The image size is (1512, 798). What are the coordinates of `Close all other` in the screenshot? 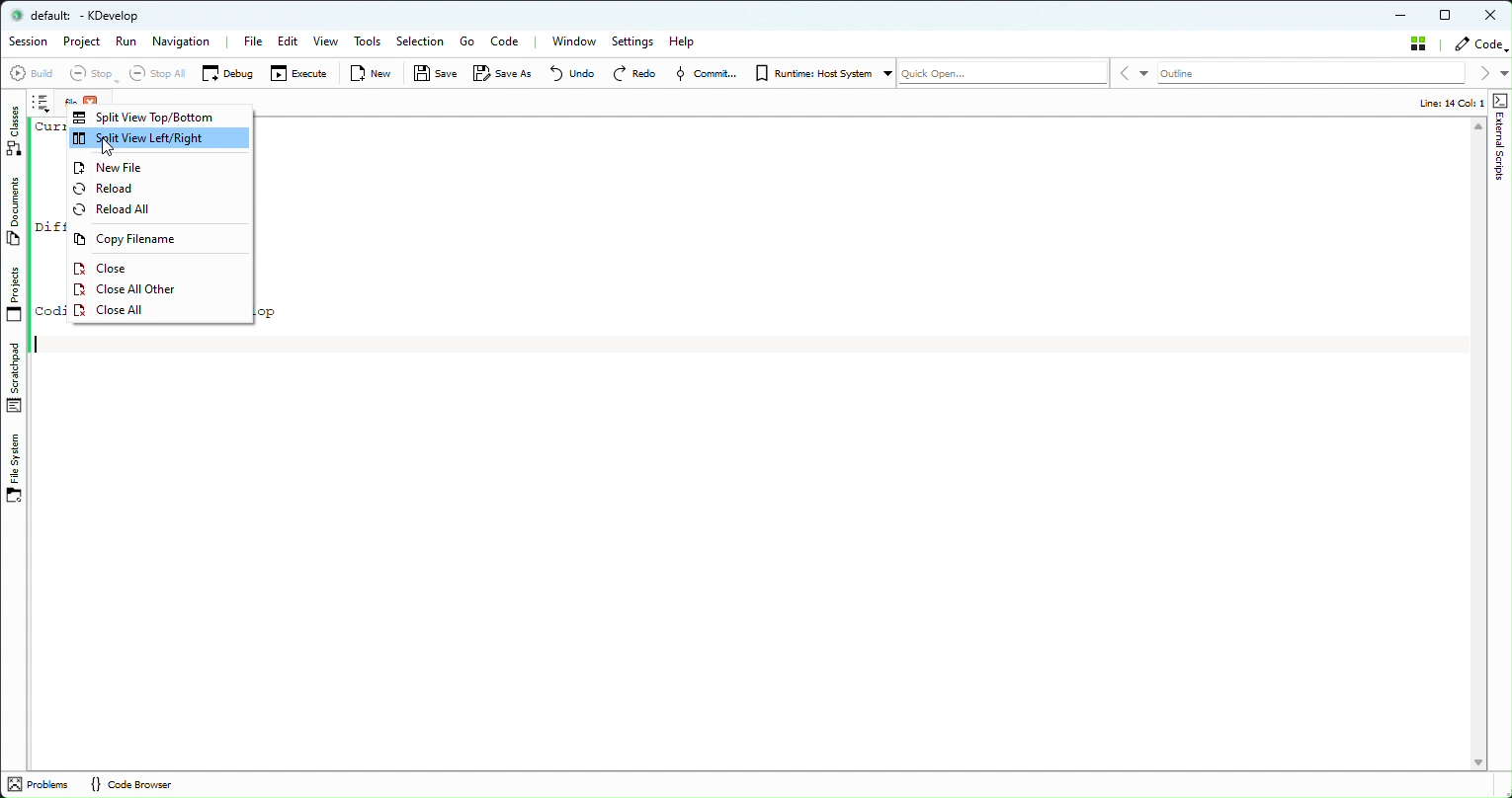 It's located at (159, 291).